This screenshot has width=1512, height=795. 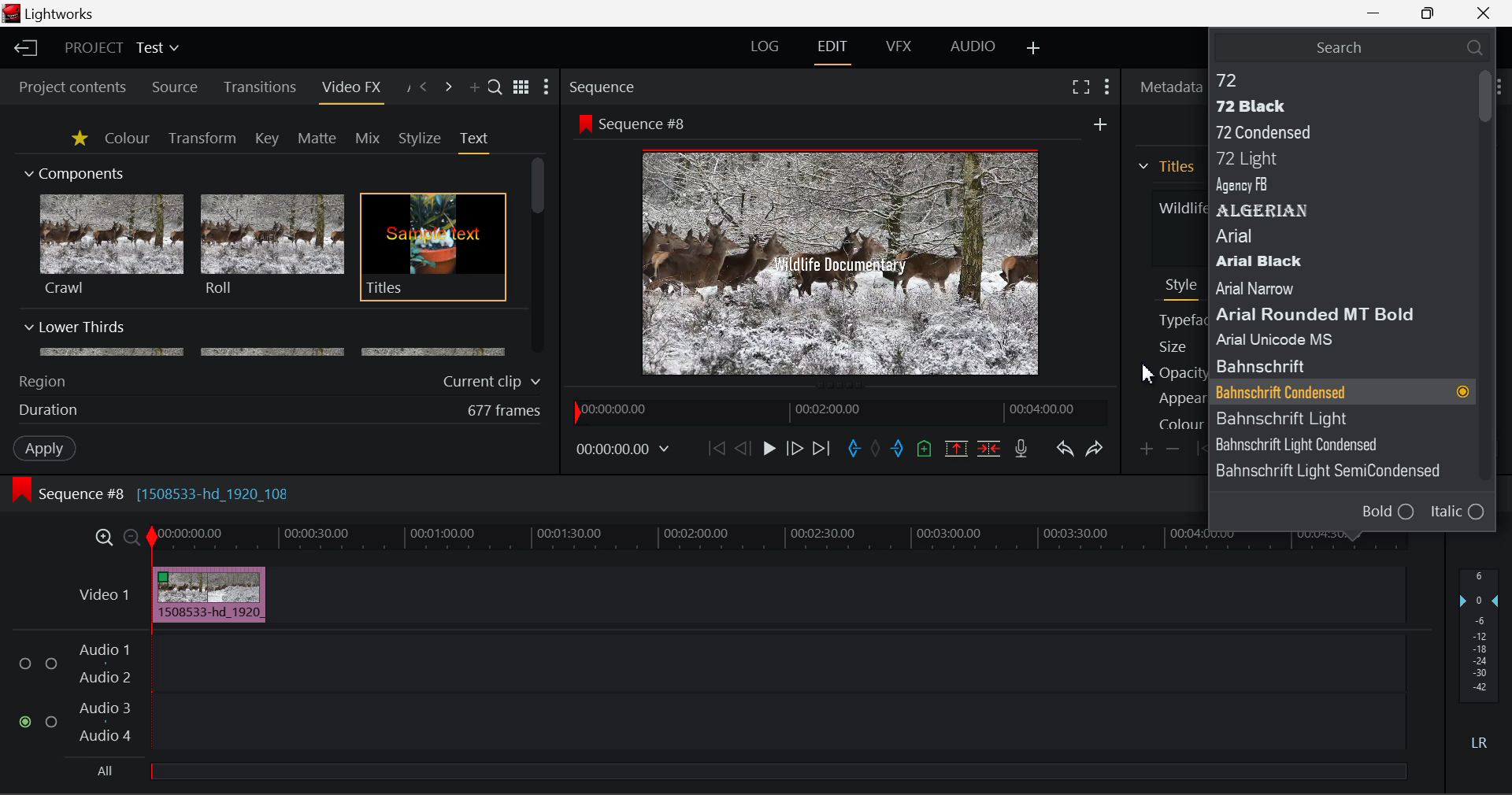 What do you see at coordinates (132, 539) in the screenshot?
I see `Zoom Out Timeline` at bounding box center [132, 539].